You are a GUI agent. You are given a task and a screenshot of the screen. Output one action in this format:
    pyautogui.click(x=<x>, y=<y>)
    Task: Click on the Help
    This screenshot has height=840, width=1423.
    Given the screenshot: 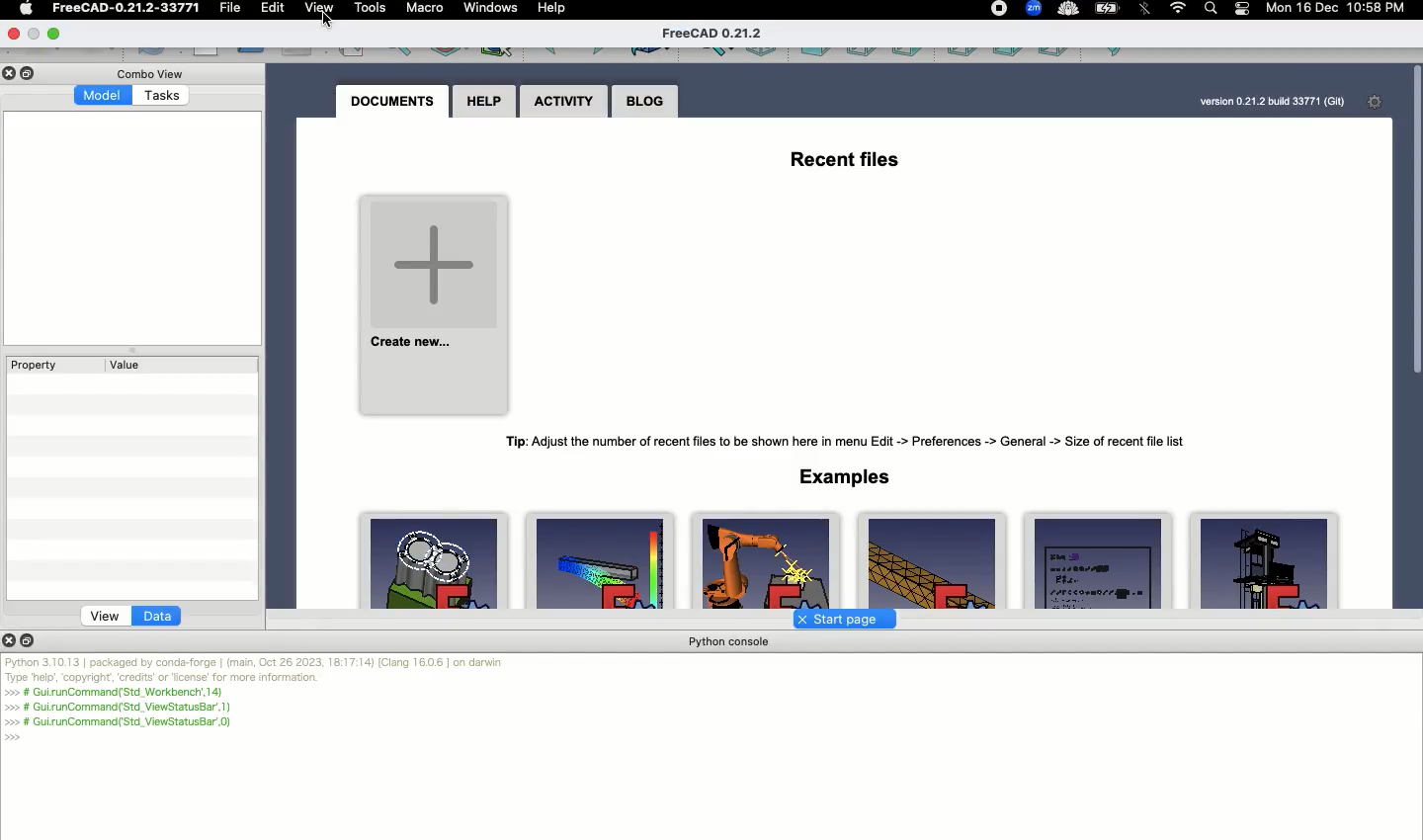 What is the action you would take?
    pyautogui.click(x=481, y=102)
    